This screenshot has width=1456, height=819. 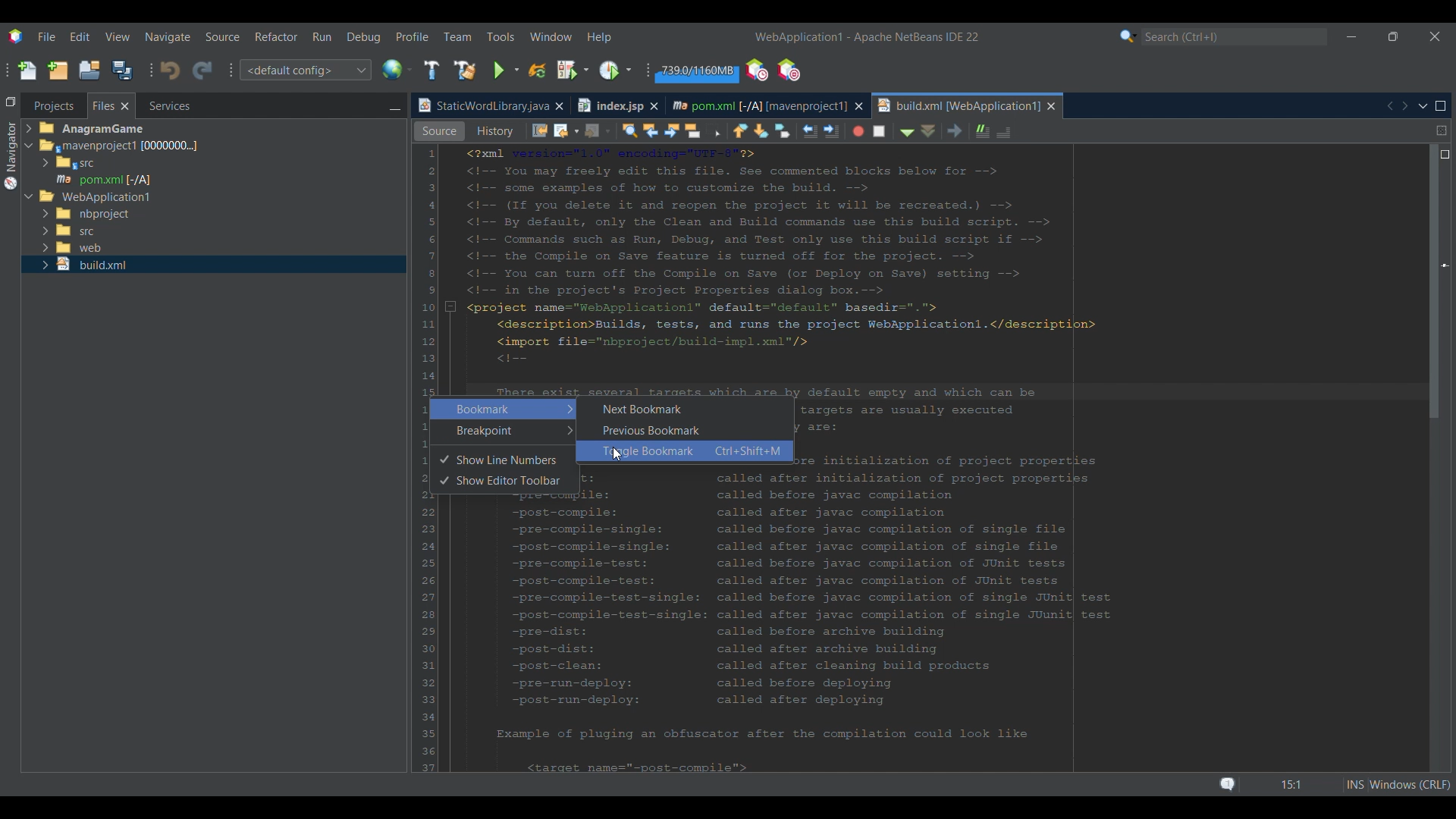 I want to click on Start macro recording, so click(x=993, y=132).